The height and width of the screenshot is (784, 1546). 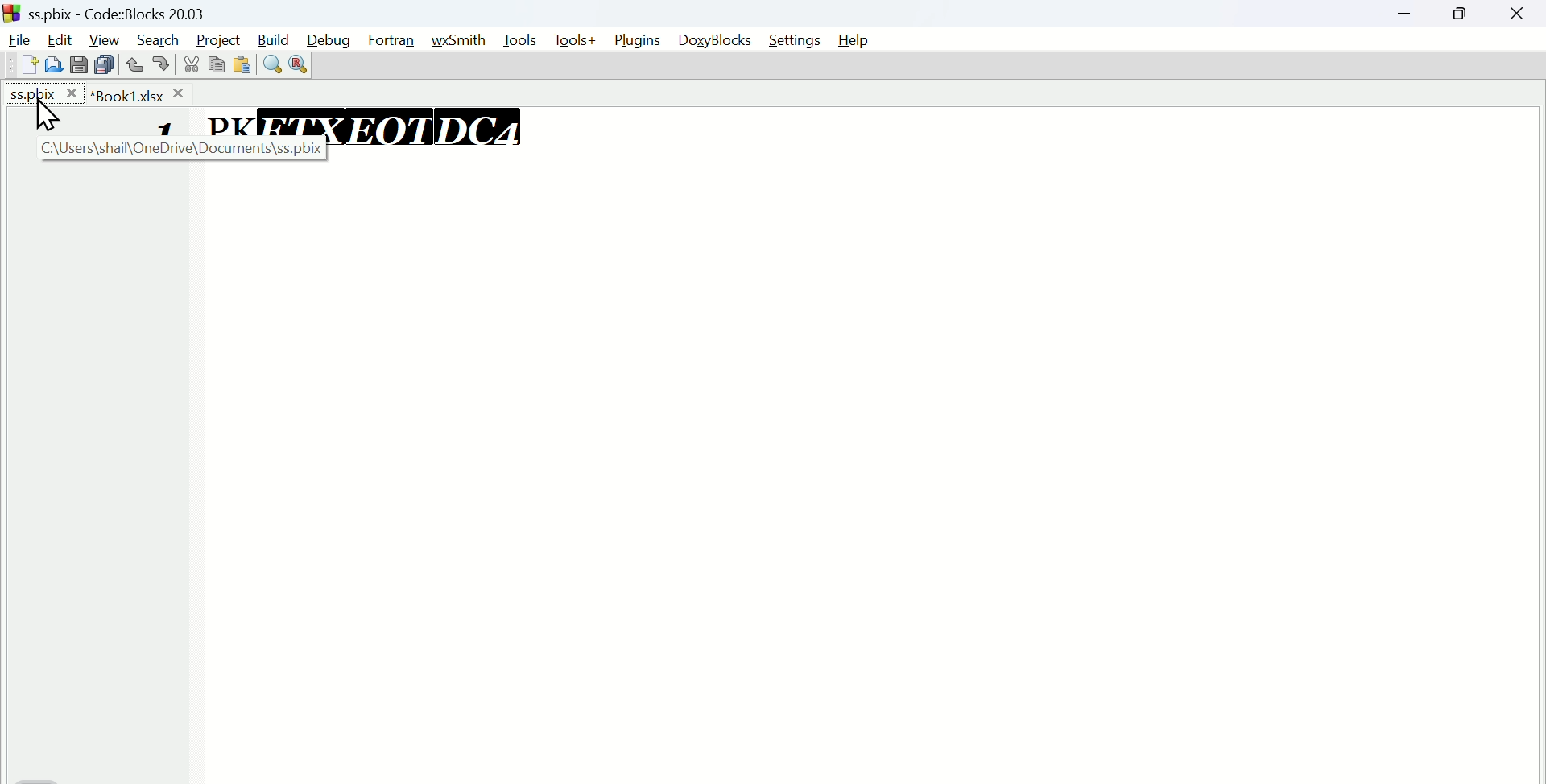 What do you see at coordinates (271, 62) in the screenshot?
I see `Find` at bounding box center [271, 62].